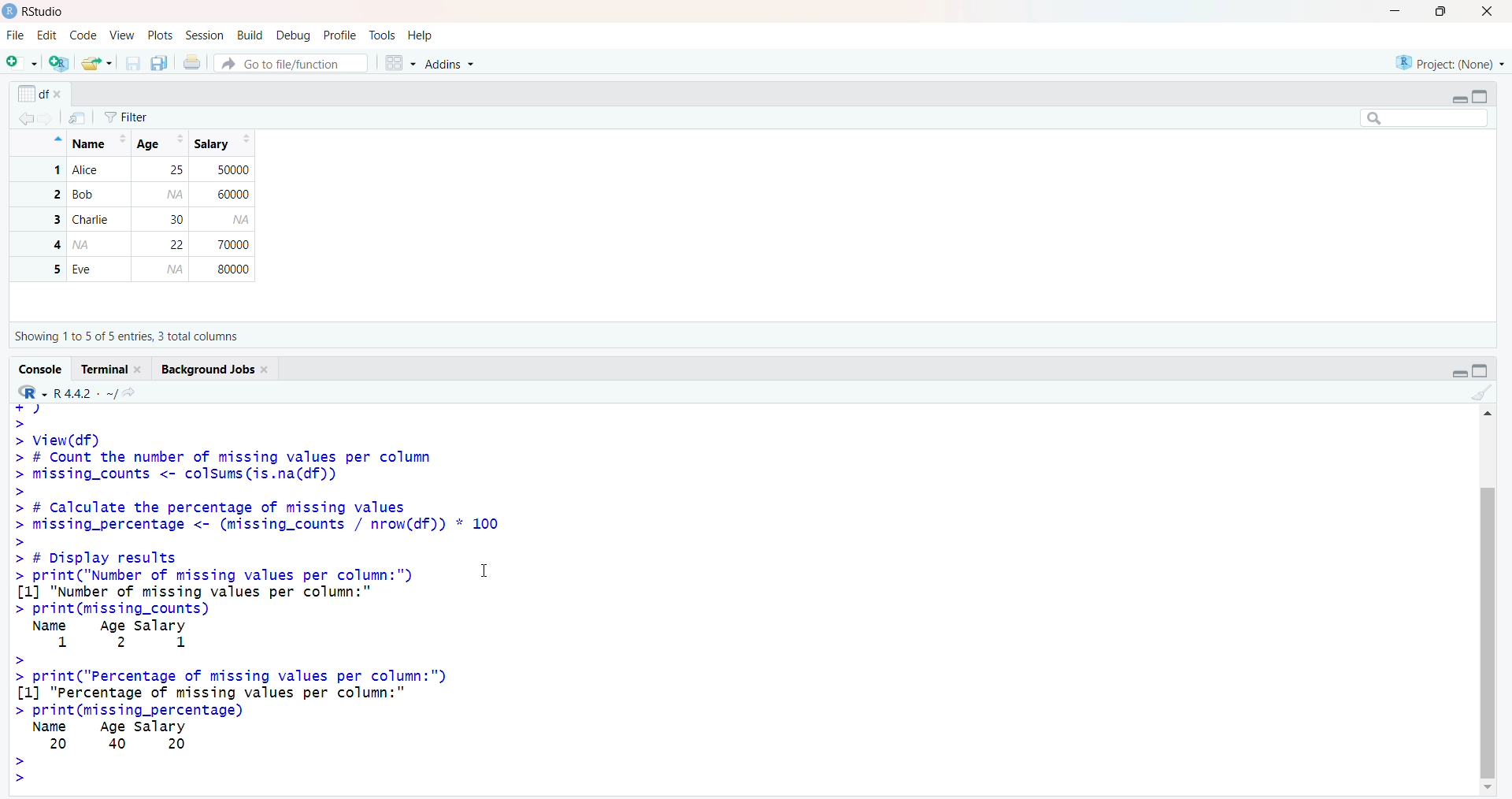  I want to click on Minimize, so click(1392, 11).